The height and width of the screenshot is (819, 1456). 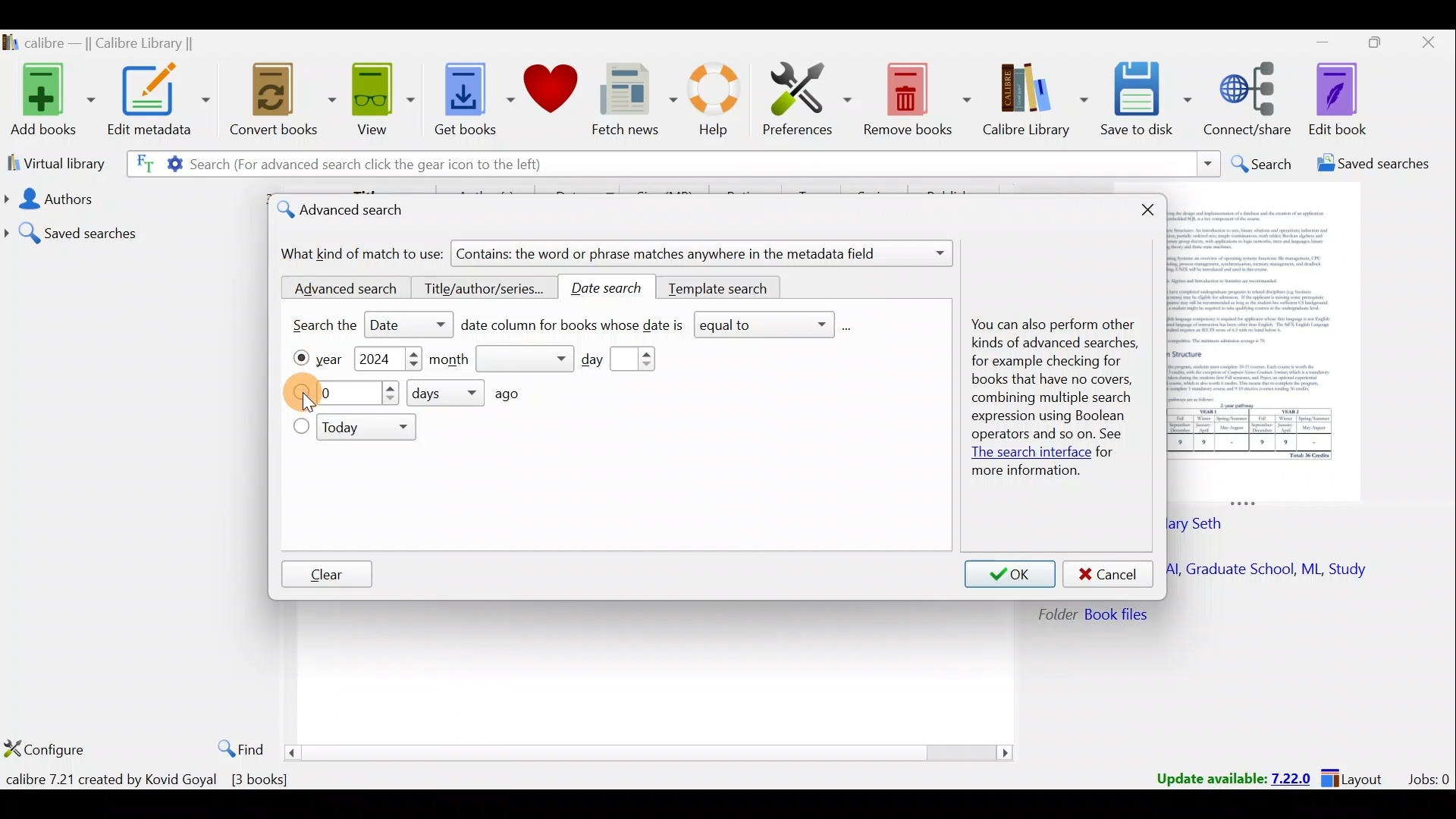 I want to click on Search (For advanced search click the gear icon to the left), so click(x=347, y=166).